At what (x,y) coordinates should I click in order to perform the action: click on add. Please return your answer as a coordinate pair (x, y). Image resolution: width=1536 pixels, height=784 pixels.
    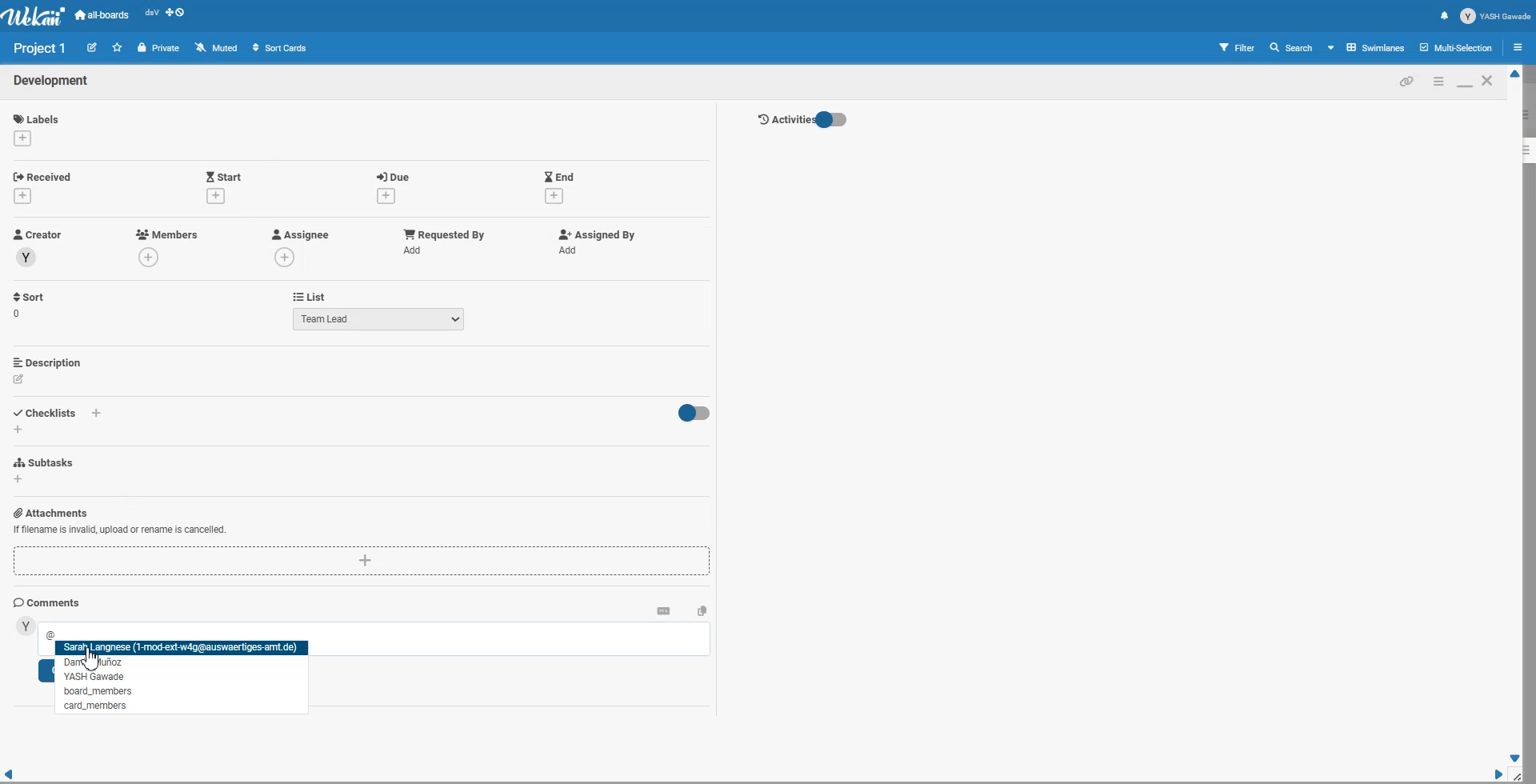
    Looking at the image, I should click on (554, 197).